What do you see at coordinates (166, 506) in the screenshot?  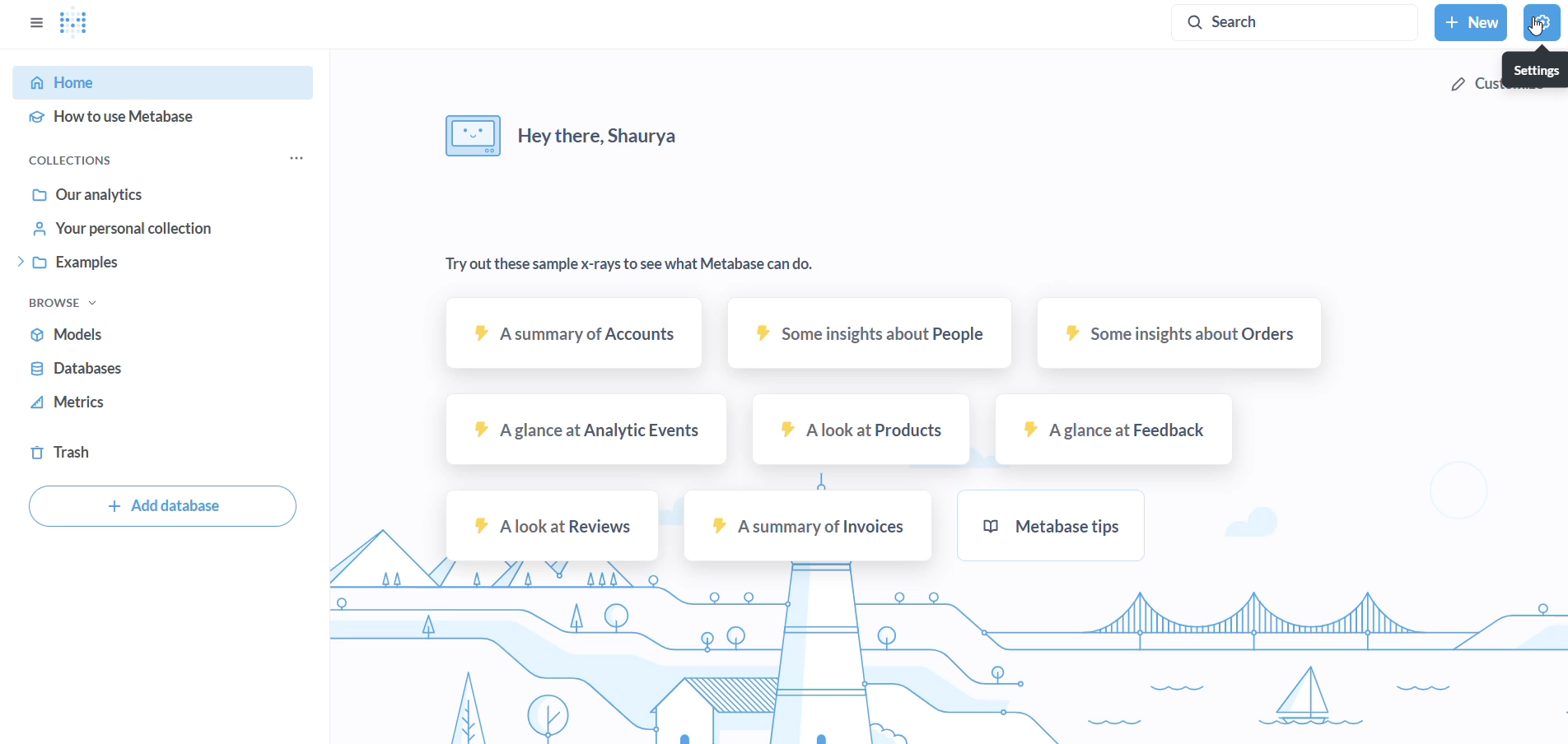 I see `+ Add database` at bounding box center [166, 506].